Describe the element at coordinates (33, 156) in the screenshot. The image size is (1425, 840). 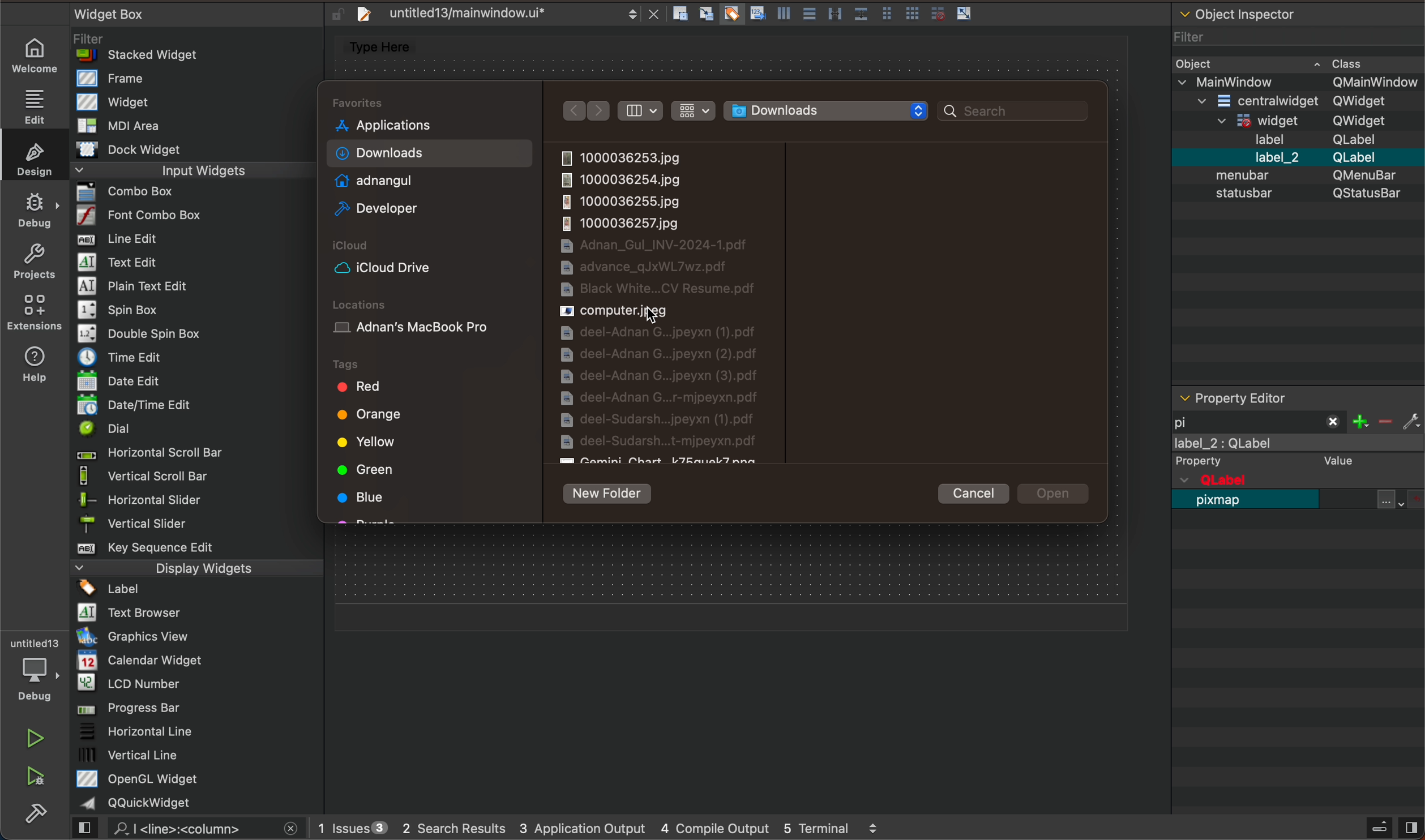
I see `design` at that location.